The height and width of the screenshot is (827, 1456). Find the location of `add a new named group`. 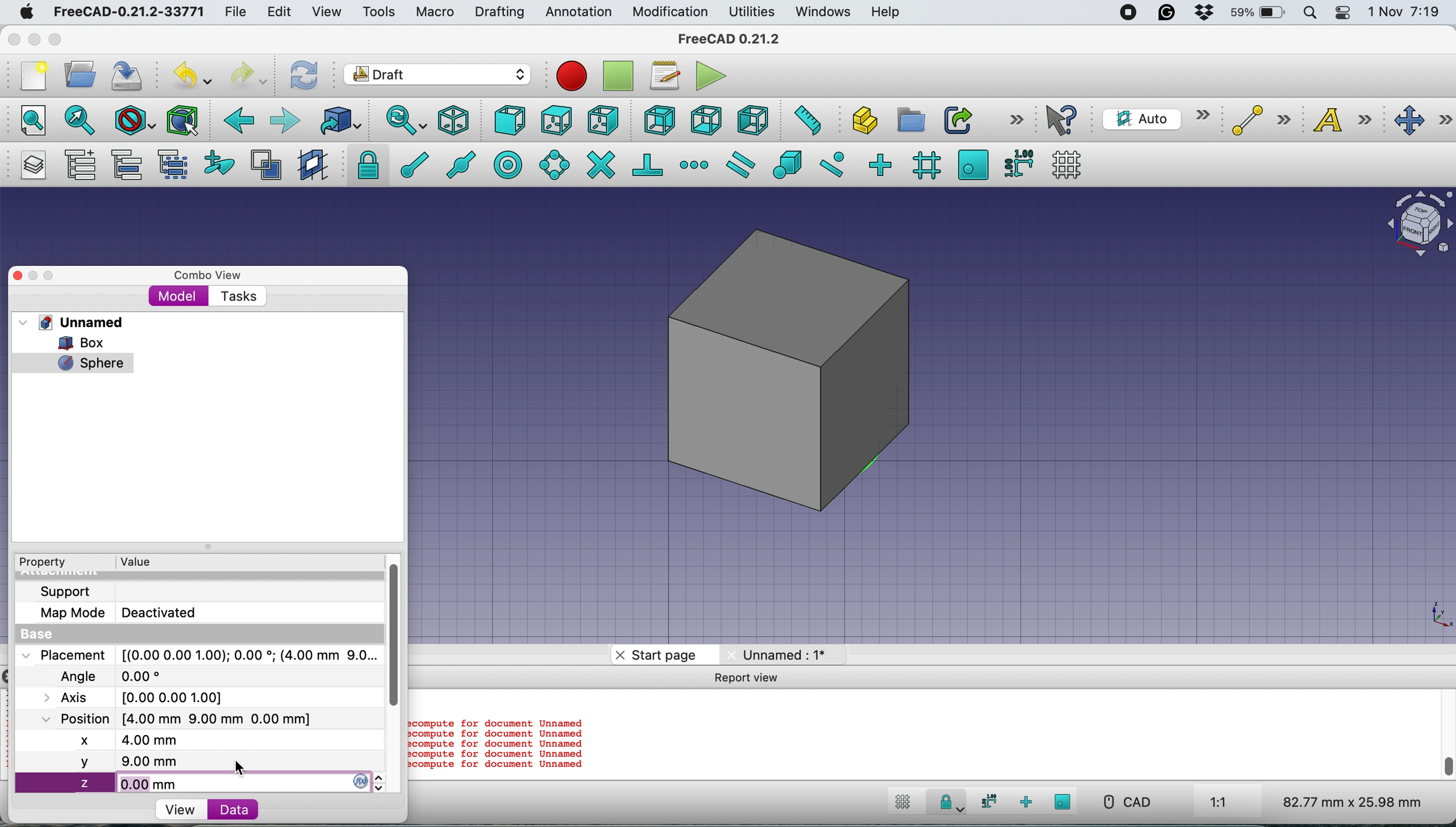

add a new named group is located at coordinates (80, 167).